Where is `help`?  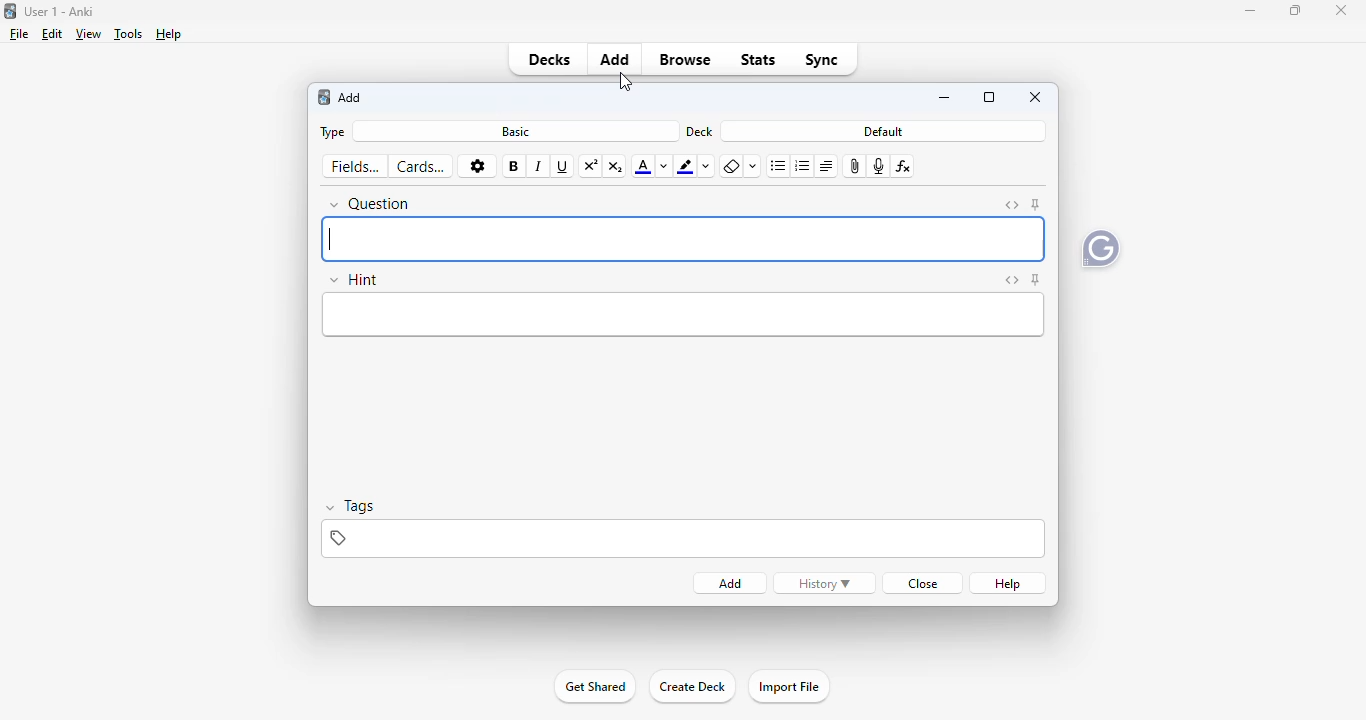 help is located at coordinates (1009, 584).